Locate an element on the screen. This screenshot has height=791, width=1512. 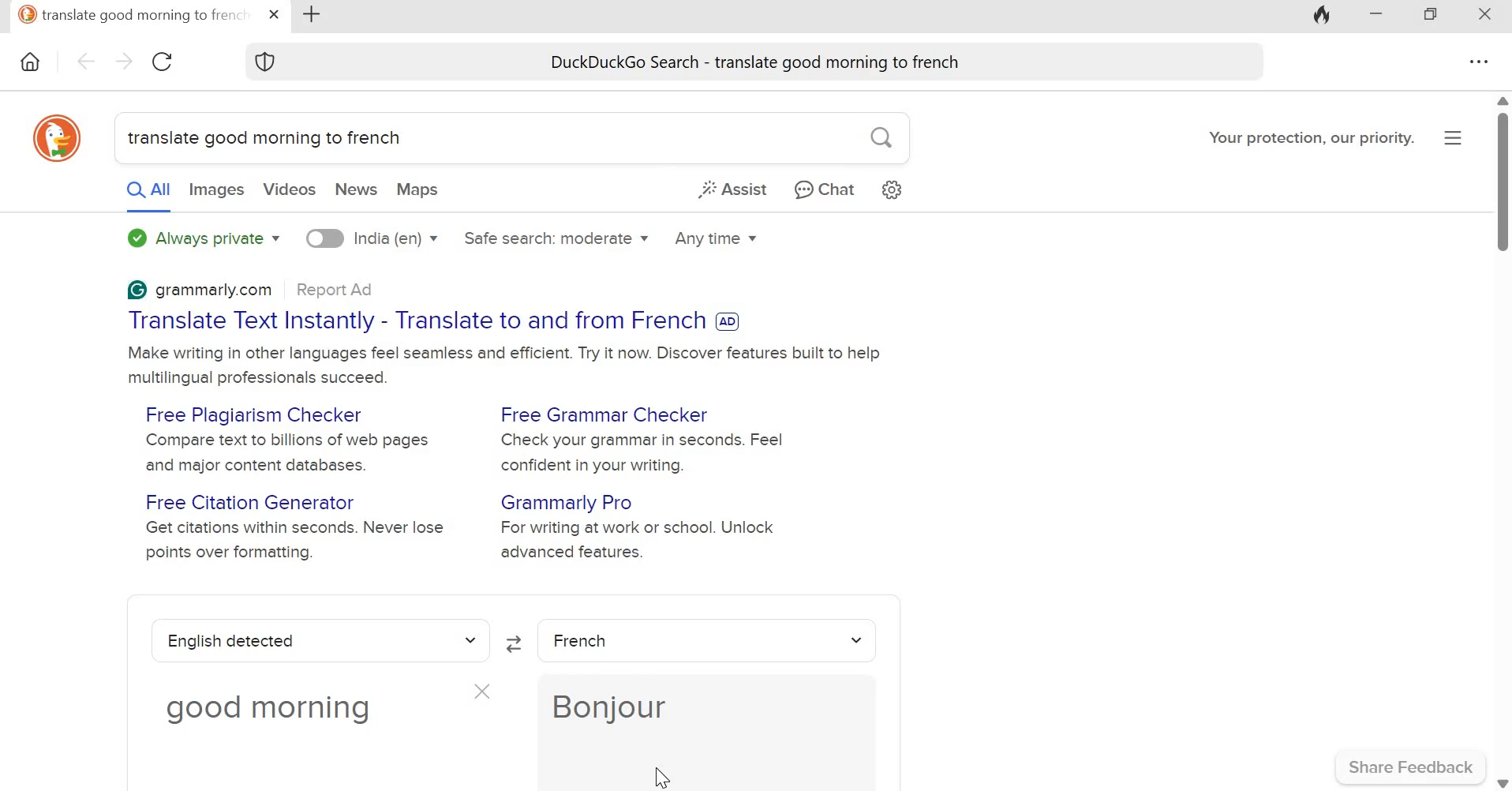
DuckDuckgo icon is located at coordinates (54, 141).